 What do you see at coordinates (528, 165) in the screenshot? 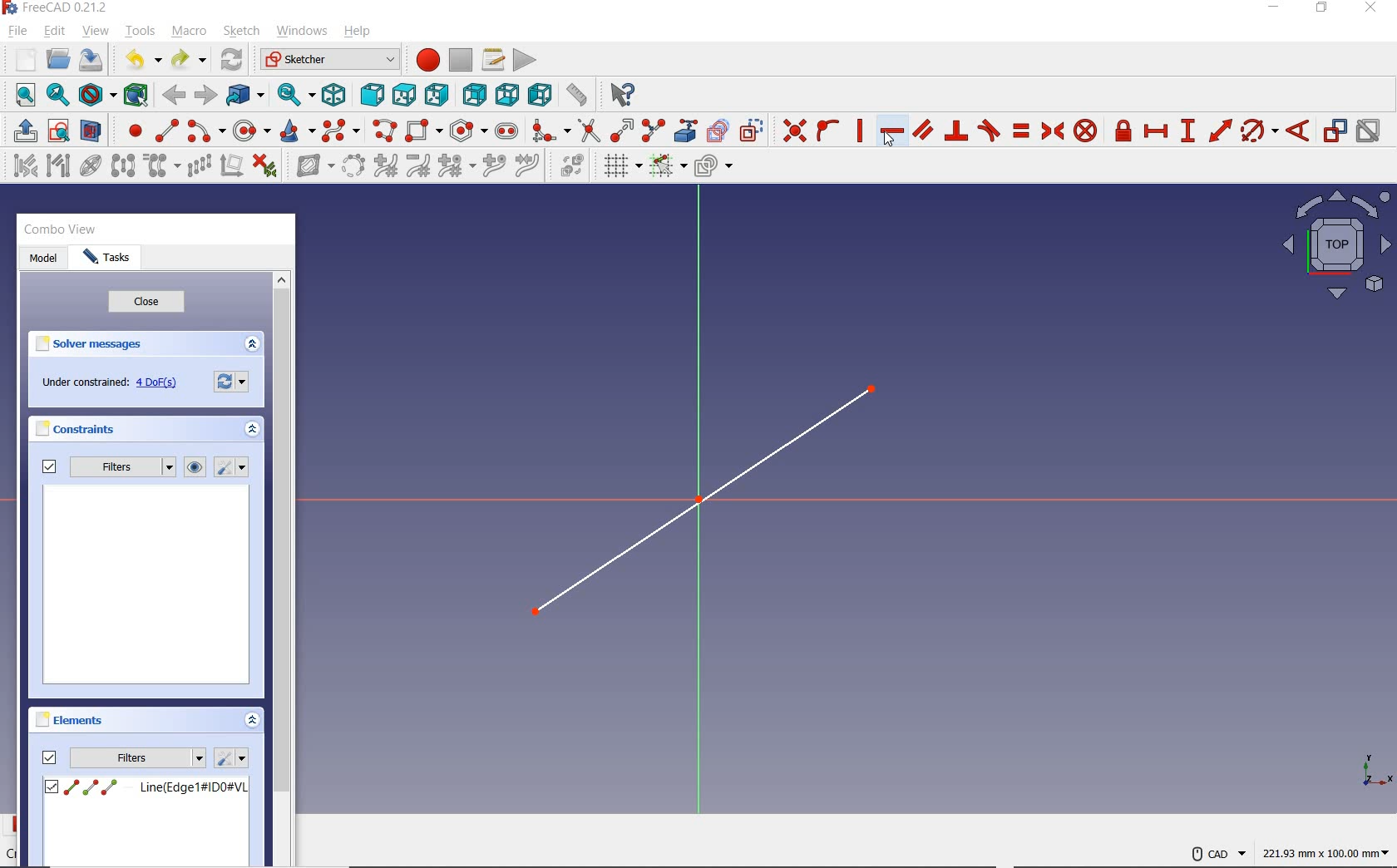
I see `JOIN CURVES` at bounding box center [528, 165].